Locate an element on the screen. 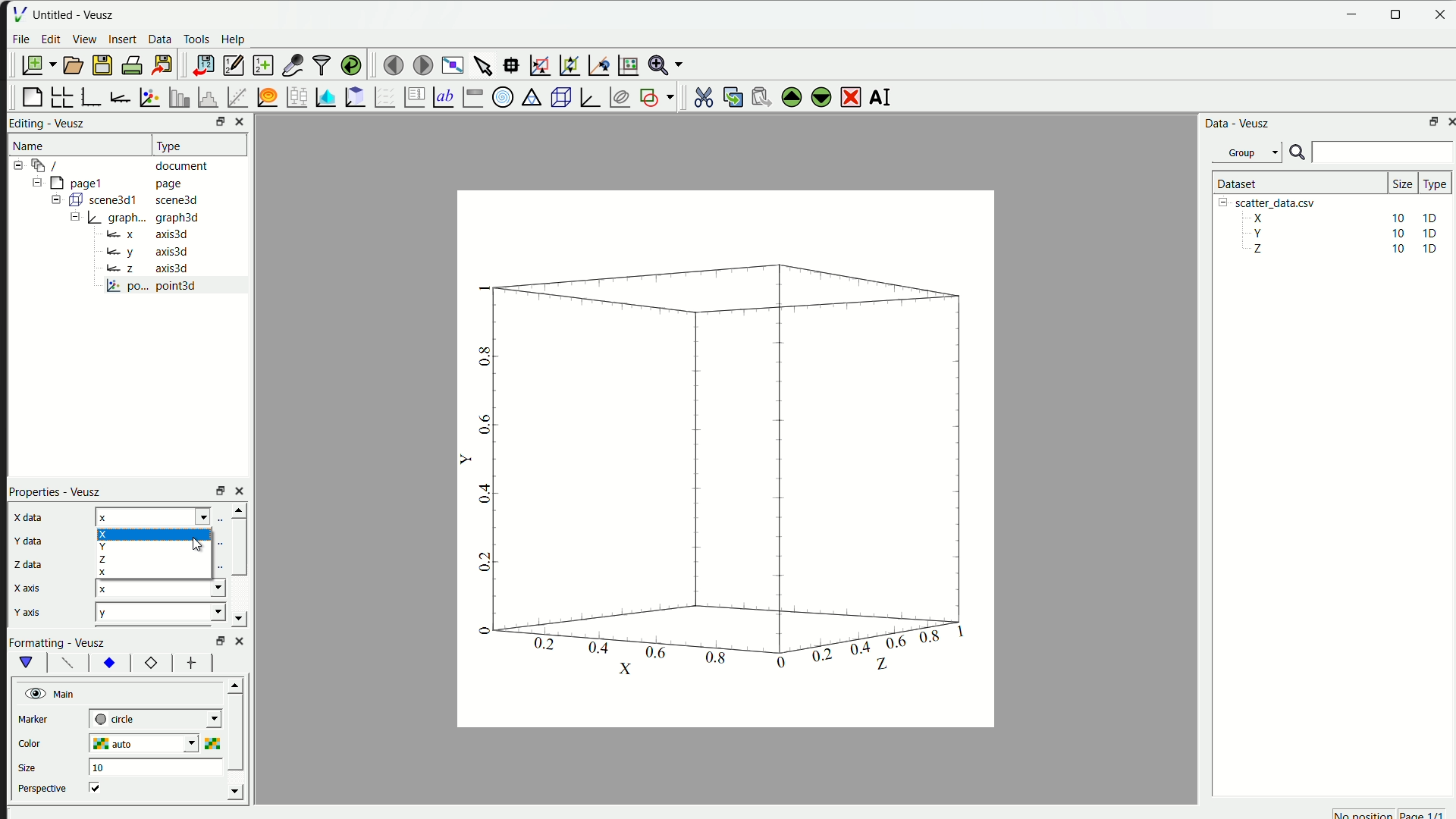 The width and height of the screenshot is (1456, 819). Tools is located at coordinates (196, 38).